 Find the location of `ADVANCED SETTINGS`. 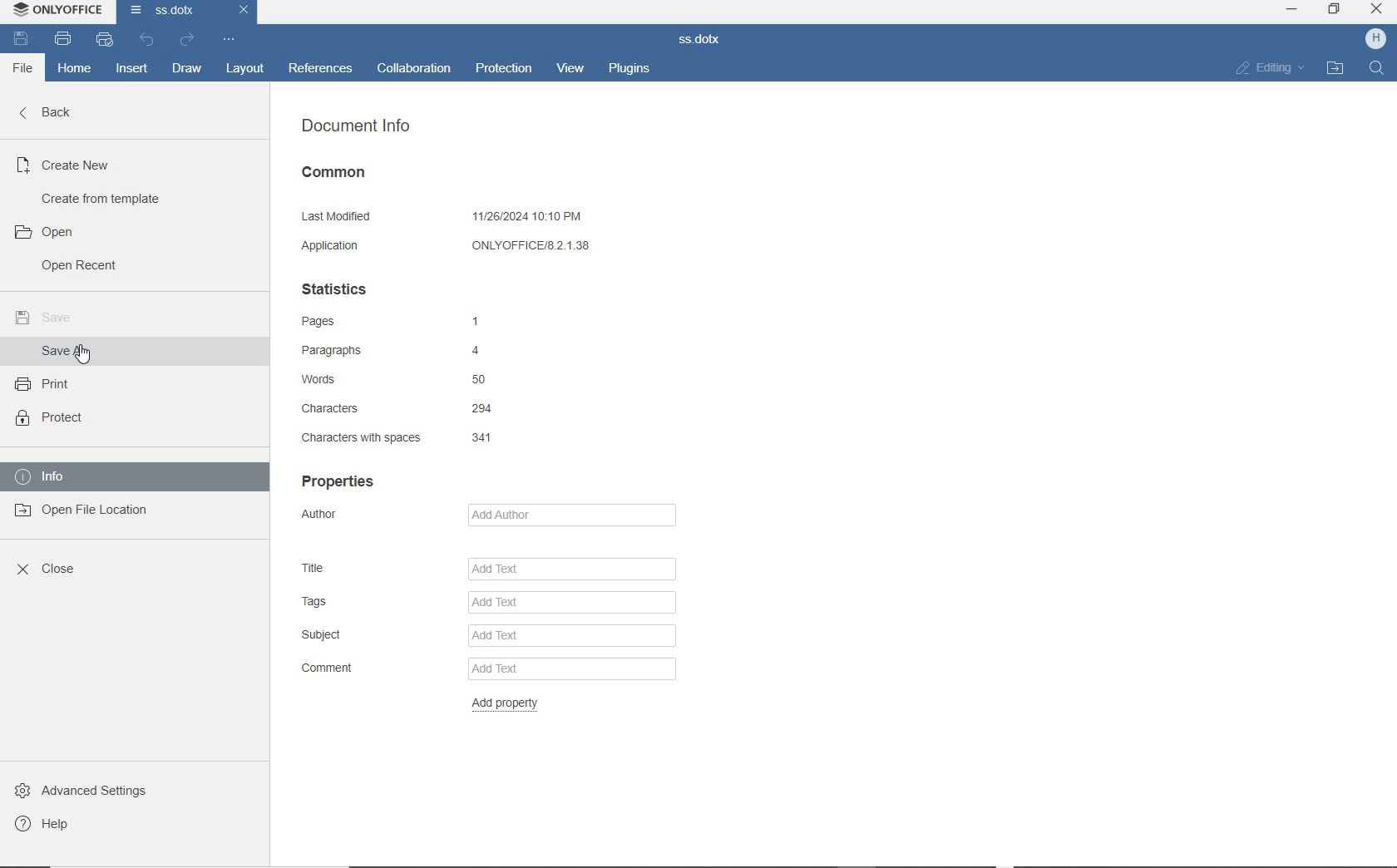

ADVANCED SETTINGS is located at coordinates (88, 787).